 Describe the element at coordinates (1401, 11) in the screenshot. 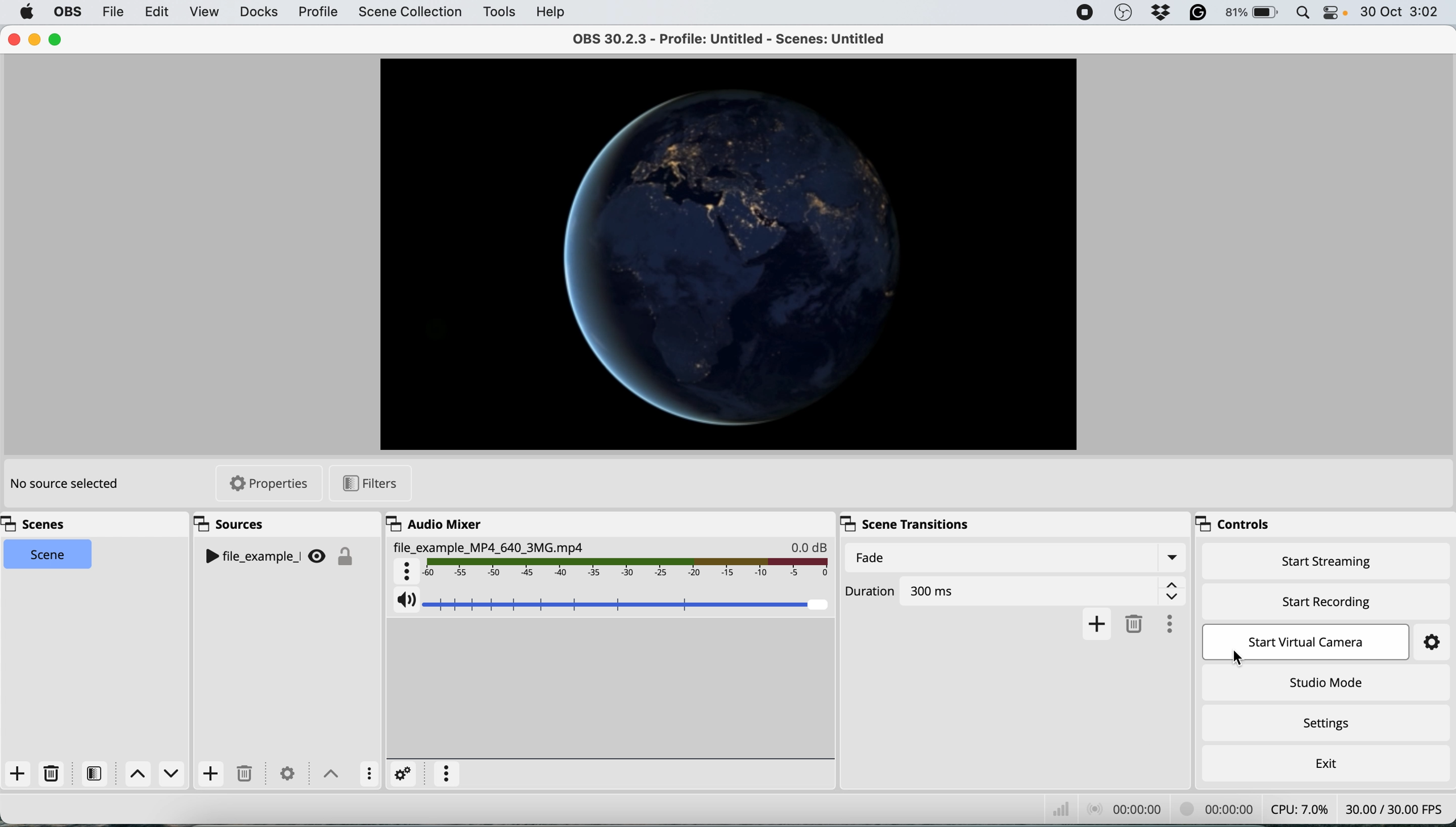

I see `date and time` at that location.